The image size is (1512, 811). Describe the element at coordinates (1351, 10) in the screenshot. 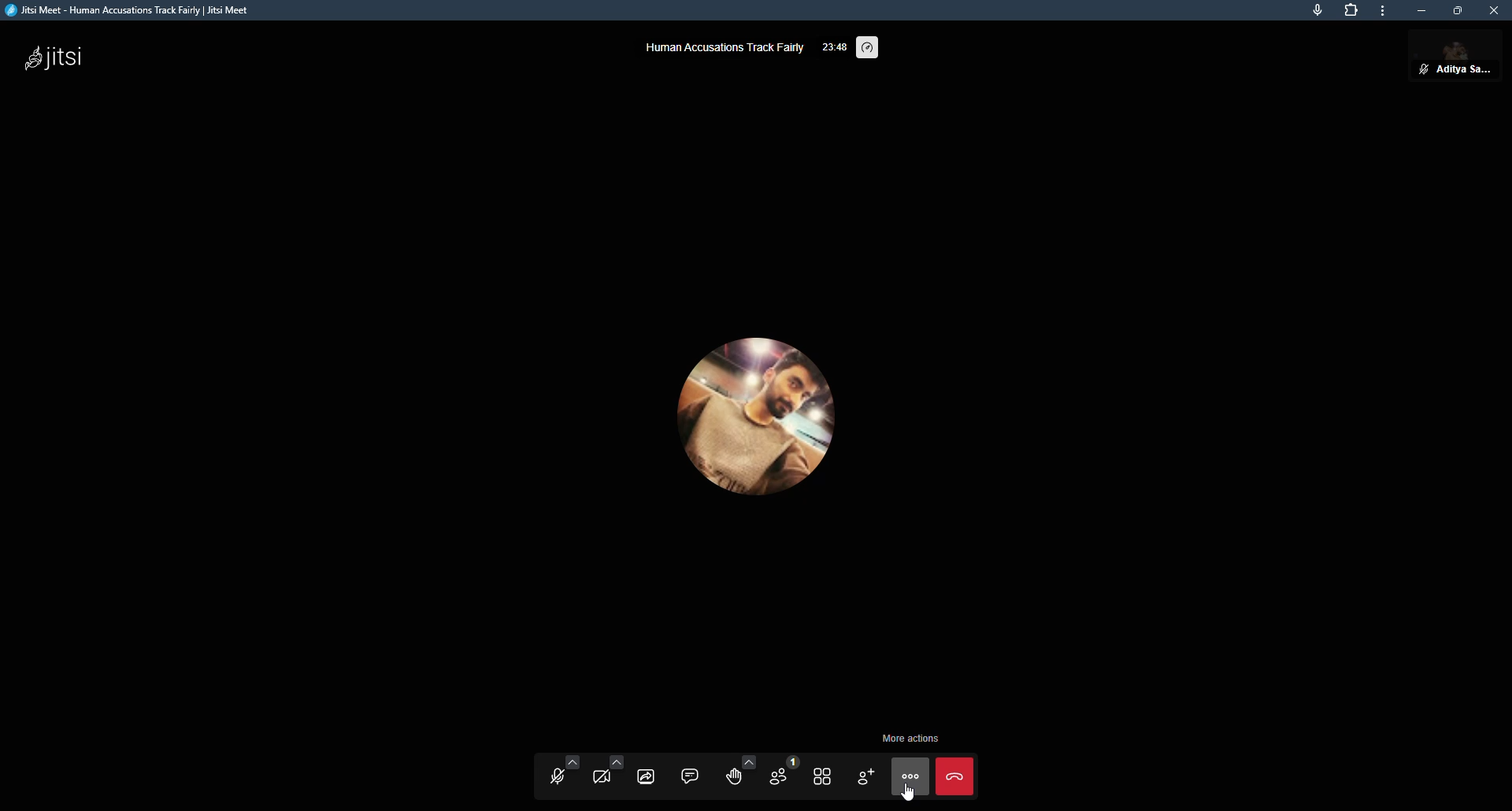

I see `extensions` at that location.